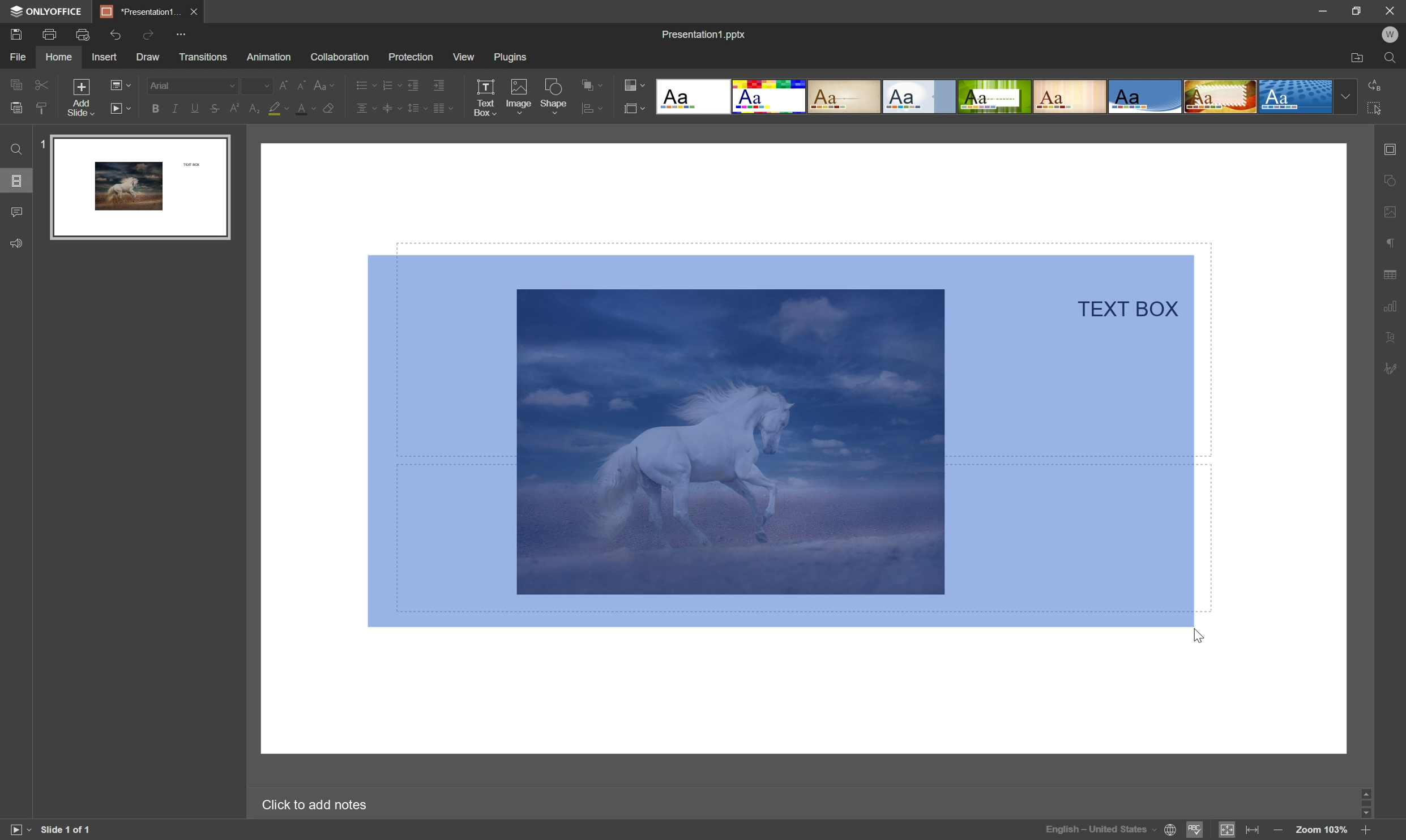 This screenshot has width=1406, height=840. What do you see at coordinates (1221, 98) in the screenshot?
I see `Safari` at bounding box center [1221, 98].